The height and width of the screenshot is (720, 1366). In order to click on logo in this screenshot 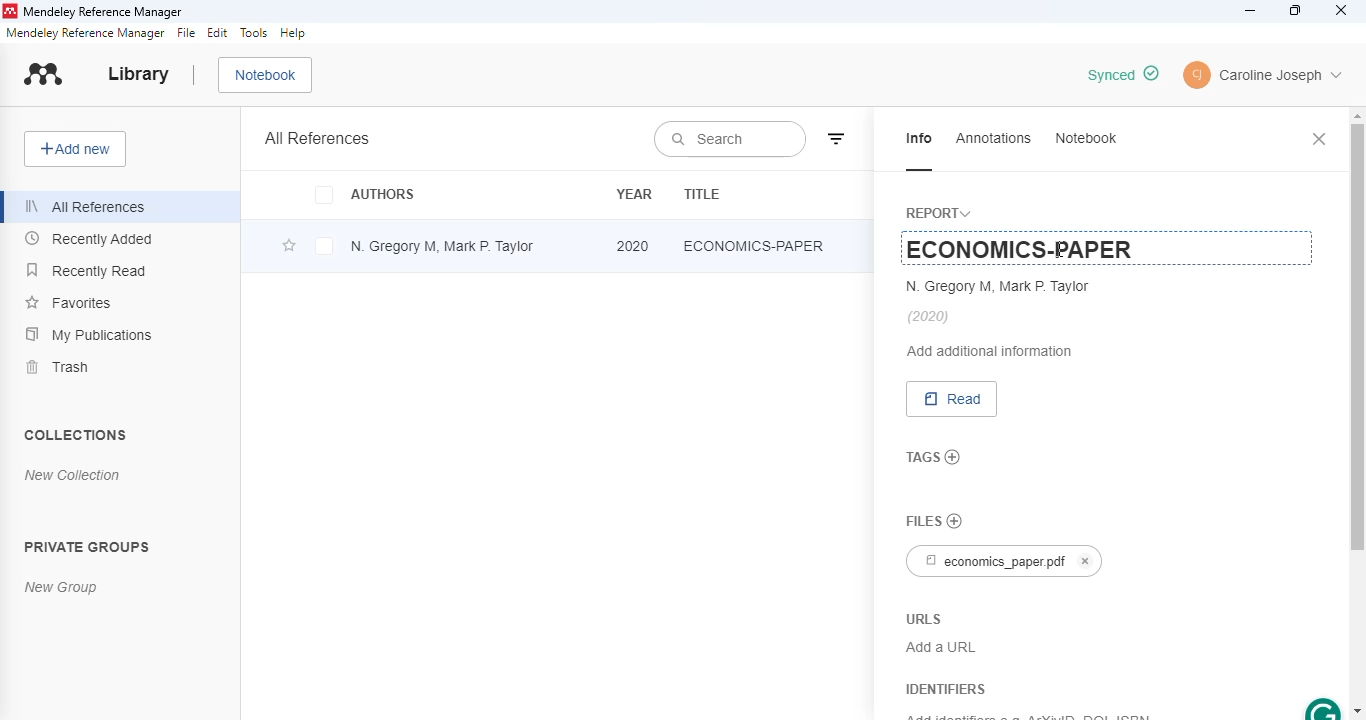, I will do `click(43, 73)`.